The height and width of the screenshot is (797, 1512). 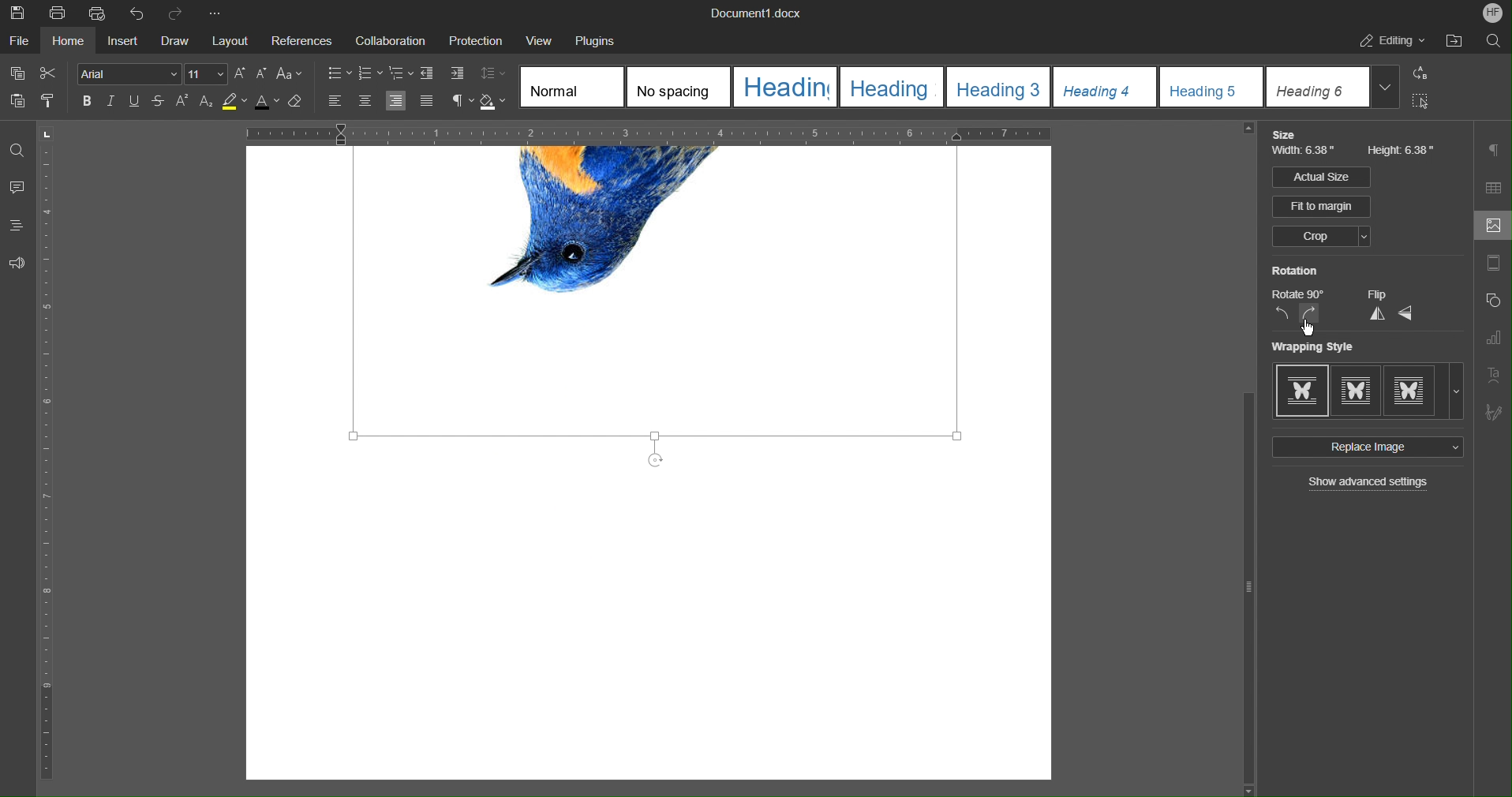 What do you see at coordinates (891, 86) in the screenshot?
I see `Heading 2` at bounding box center [891, 86].